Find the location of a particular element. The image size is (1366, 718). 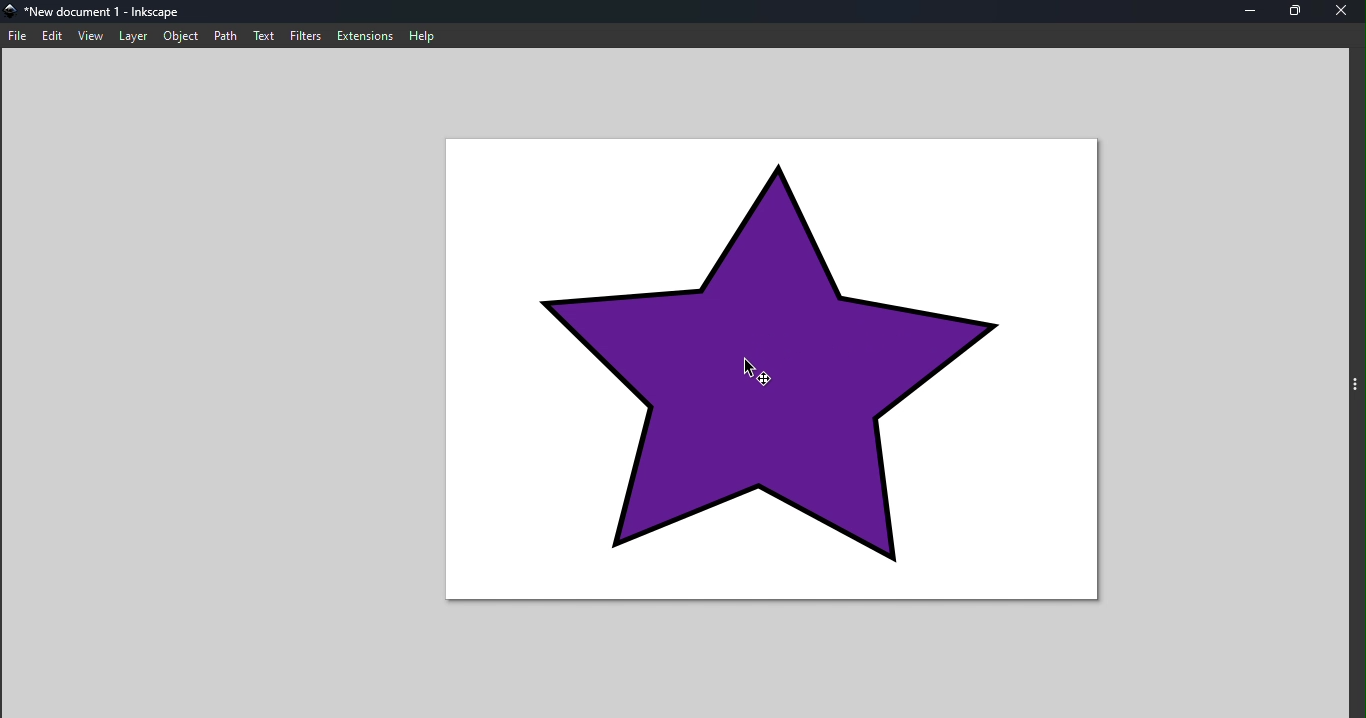

View is located at coordinates (89, 35).